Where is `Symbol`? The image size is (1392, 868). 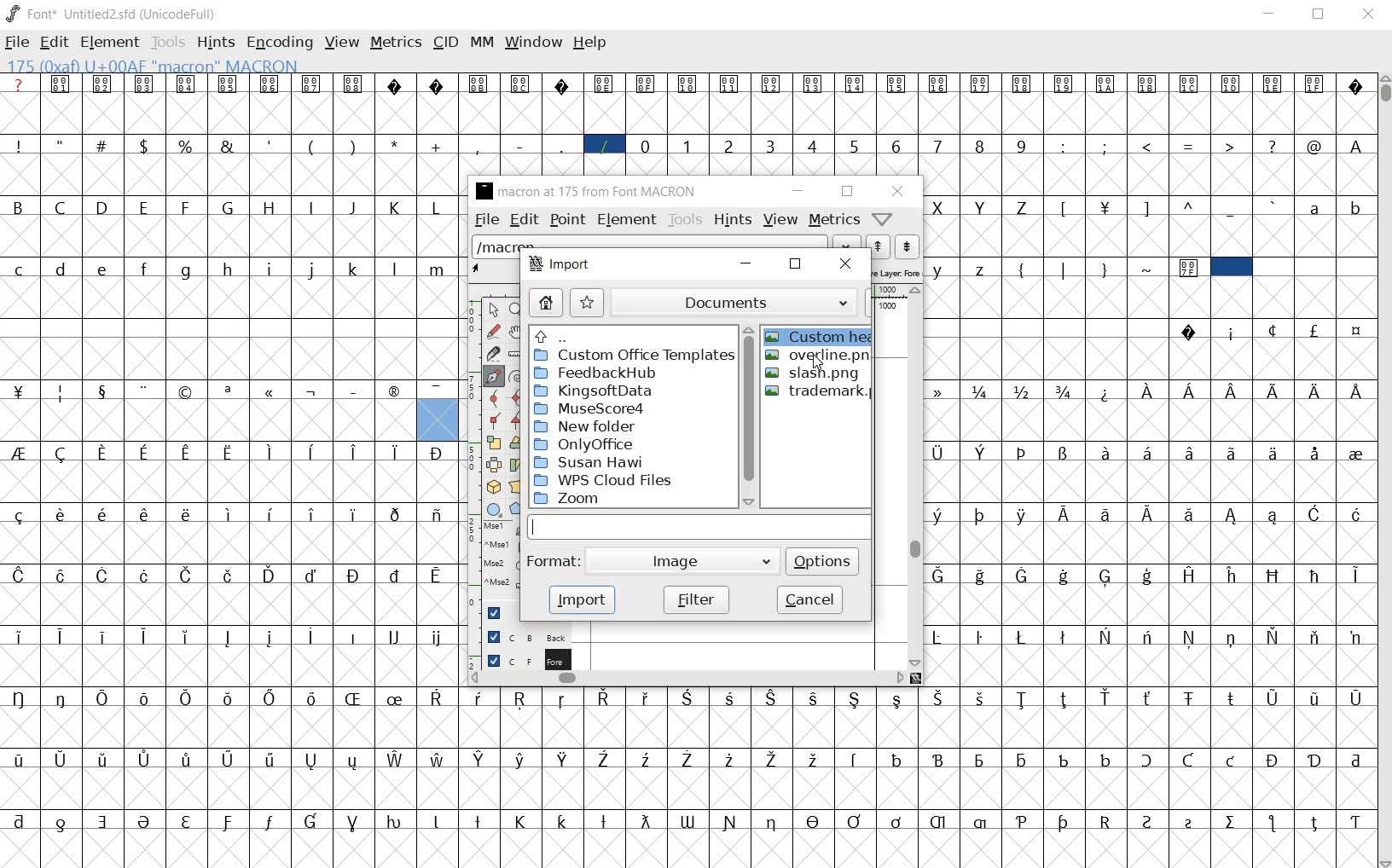 Symbol is located at coordinates (17, 760).